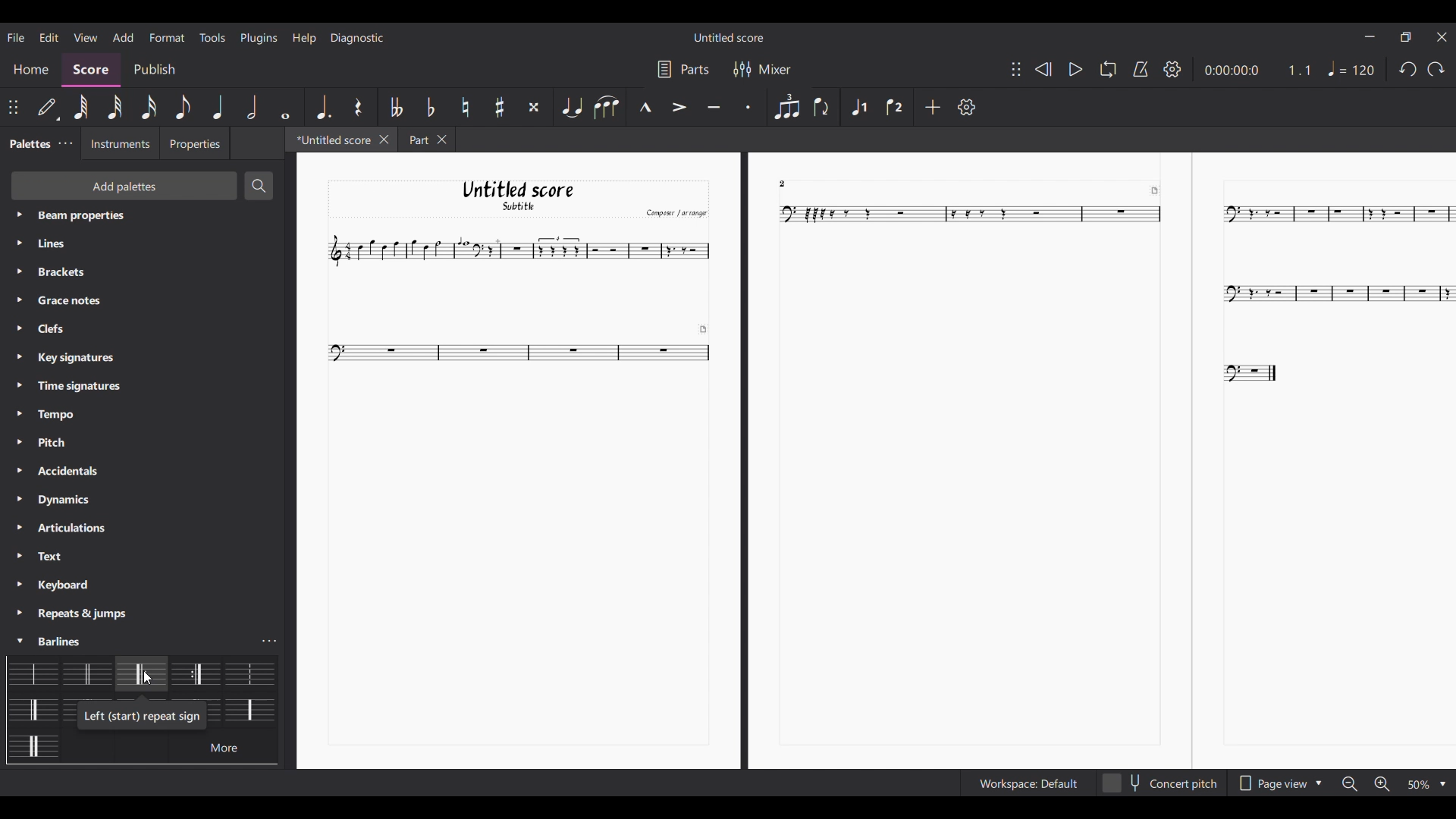  I want to click on Zoom options, so click(1427, 784).